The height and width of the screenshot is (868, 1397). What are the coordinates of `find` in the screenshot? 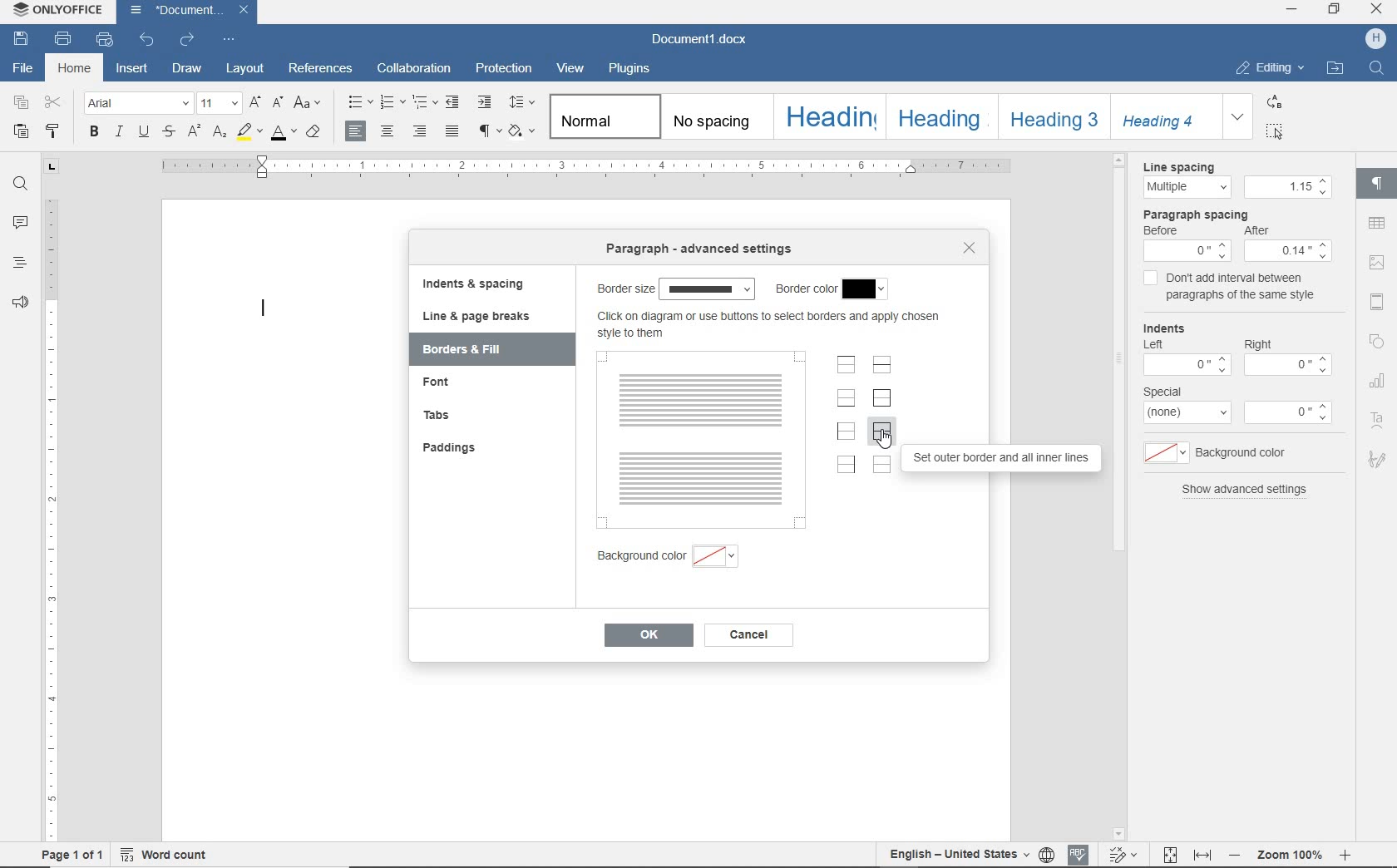 It's located at (17, 184).